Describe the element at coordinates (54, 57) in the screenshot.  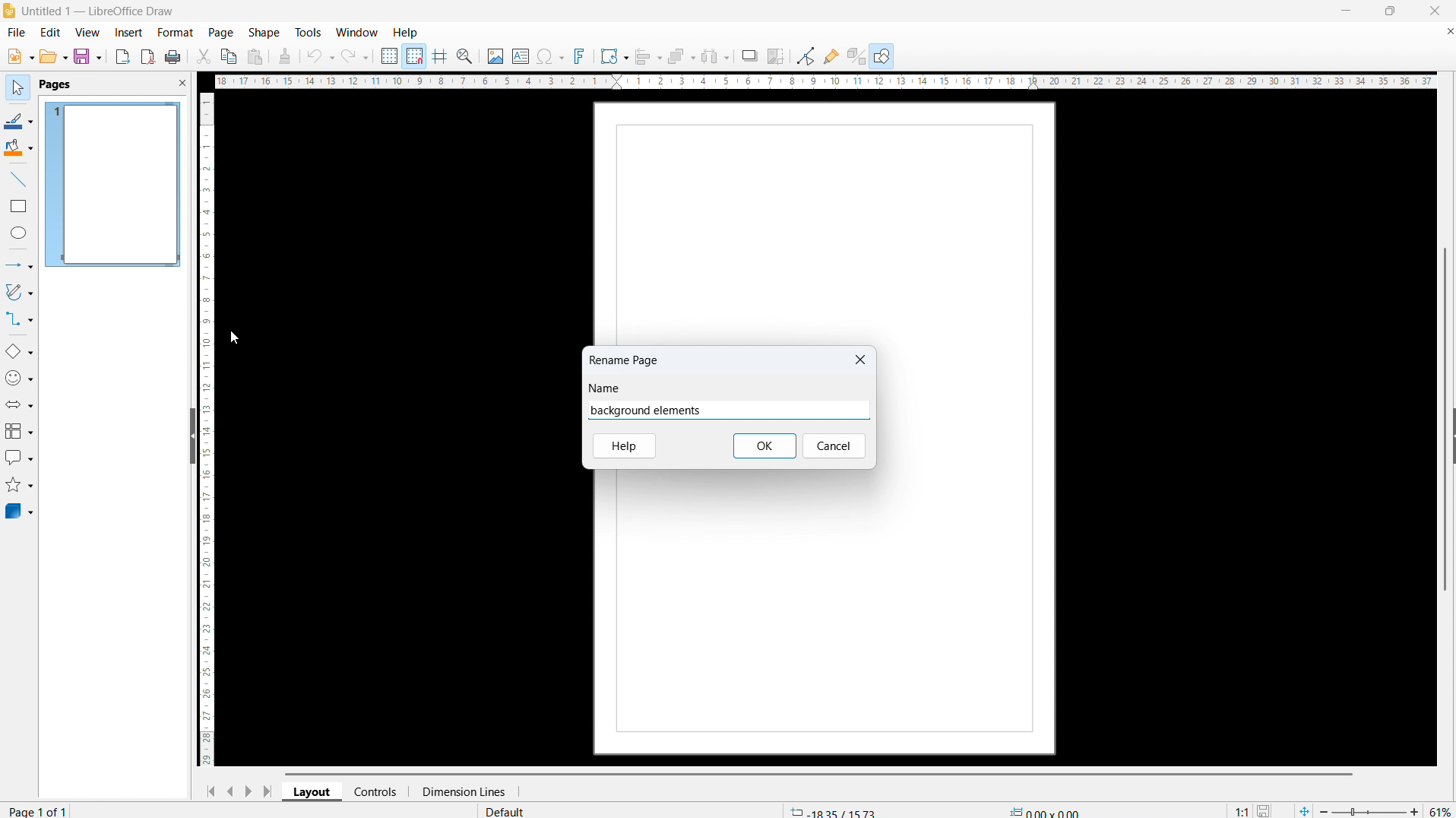
I see `open` at that location.